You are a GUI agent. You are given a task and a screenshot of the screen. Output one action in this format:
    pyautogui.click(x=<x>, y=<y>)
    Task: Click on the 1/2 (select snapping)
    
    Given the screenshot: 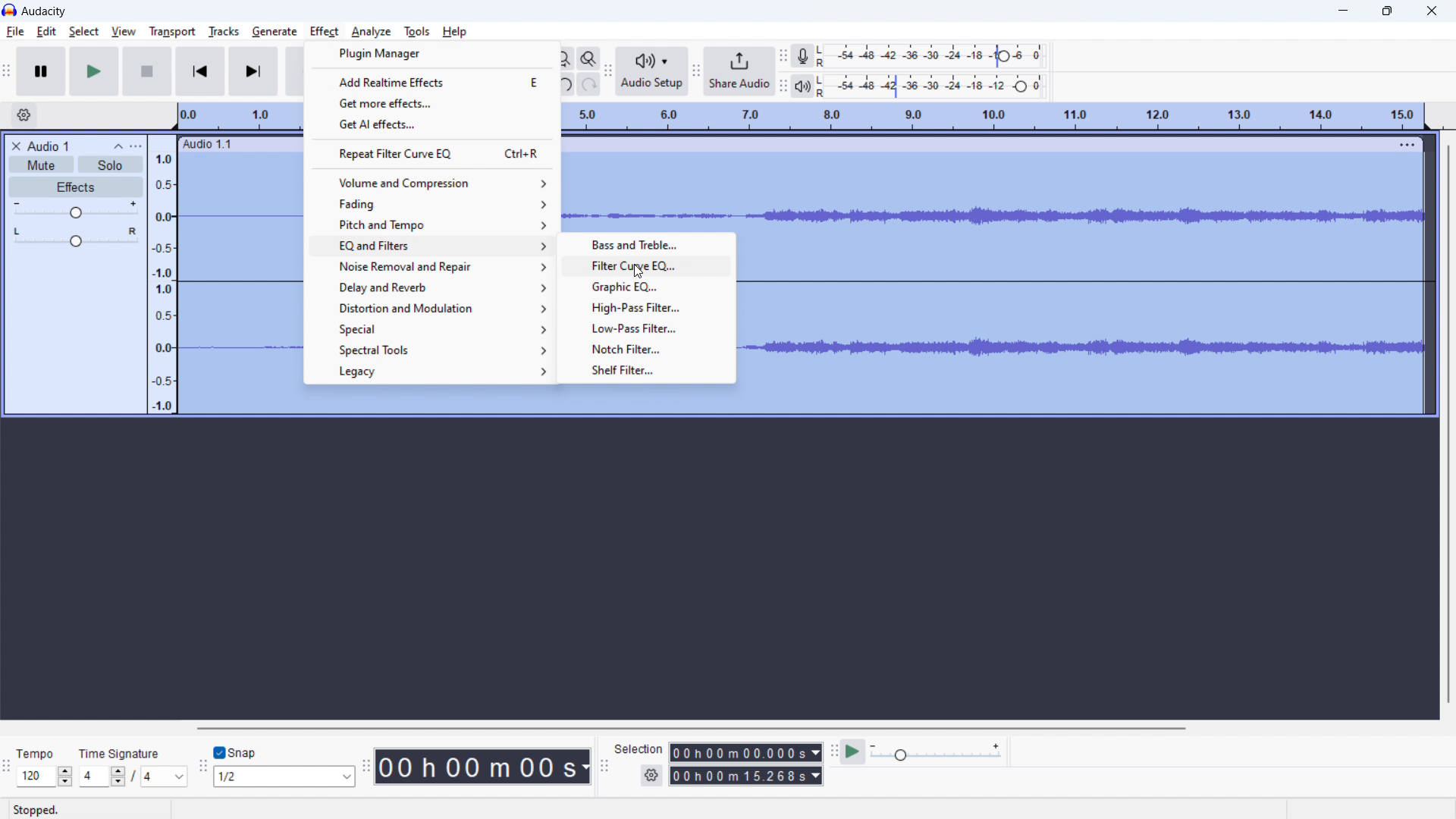 What is the action you would take?
    pyautogui.click(x=285, y=776)
    